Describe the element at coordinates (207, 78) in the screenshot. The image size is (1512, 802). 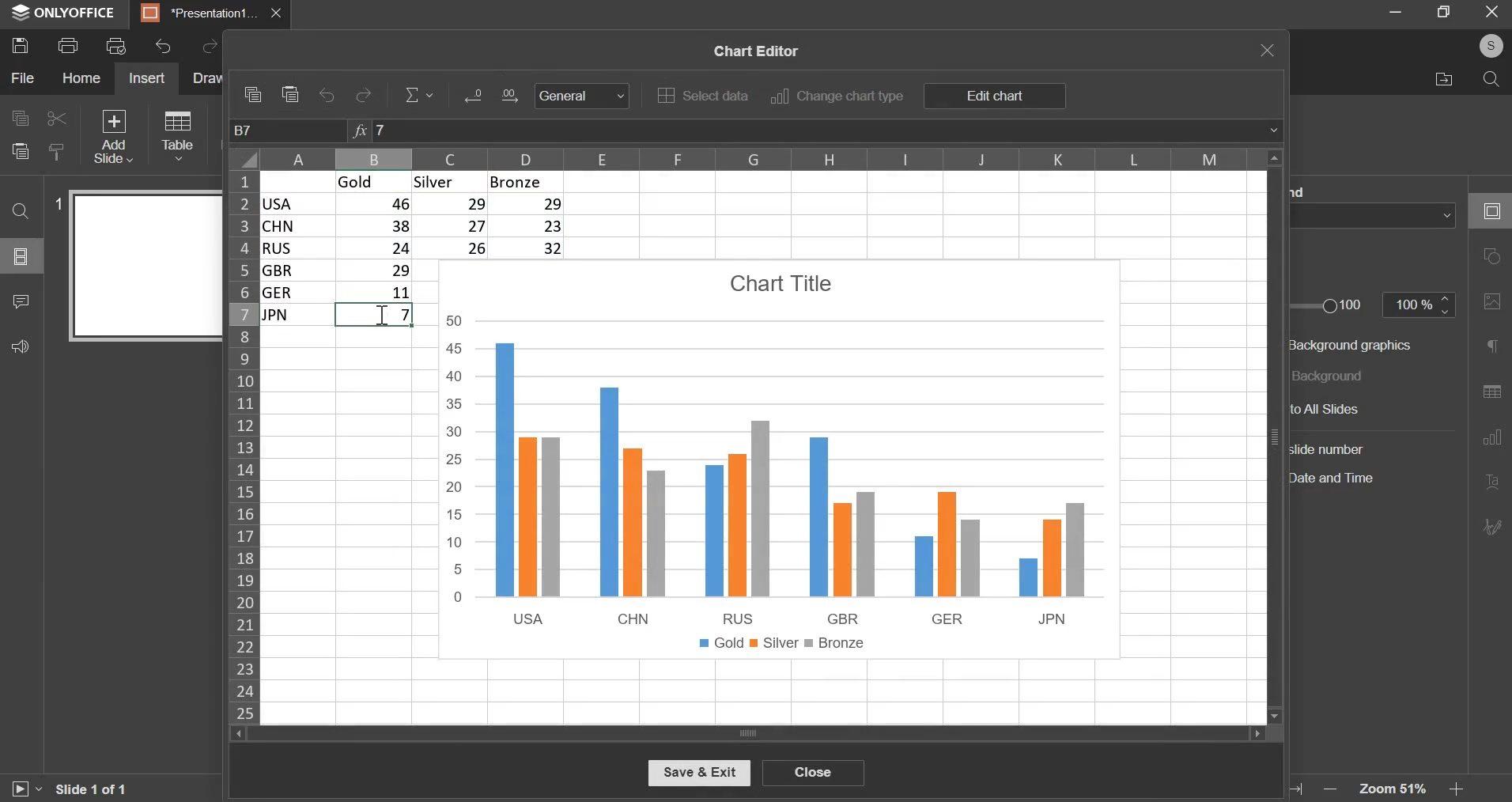
I see `draw` at that location.